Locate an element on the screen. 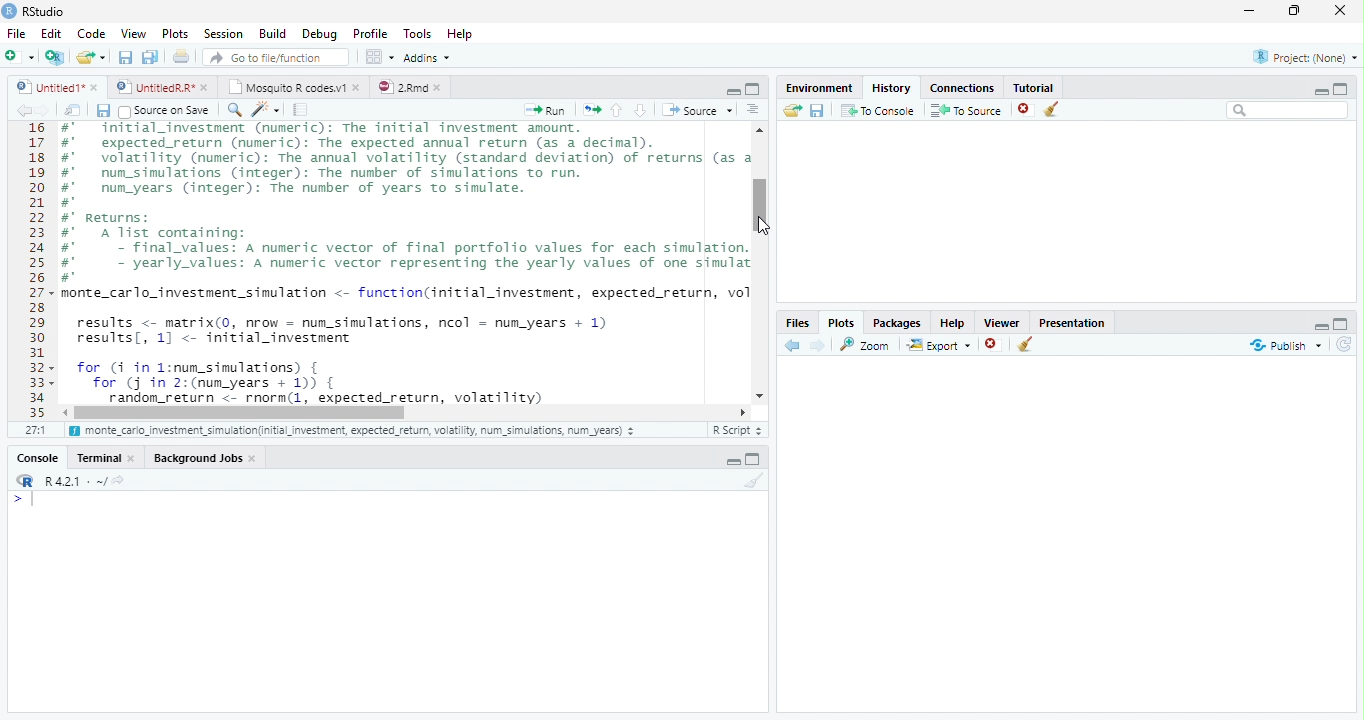  To Source is located at coordinates (966, 110).